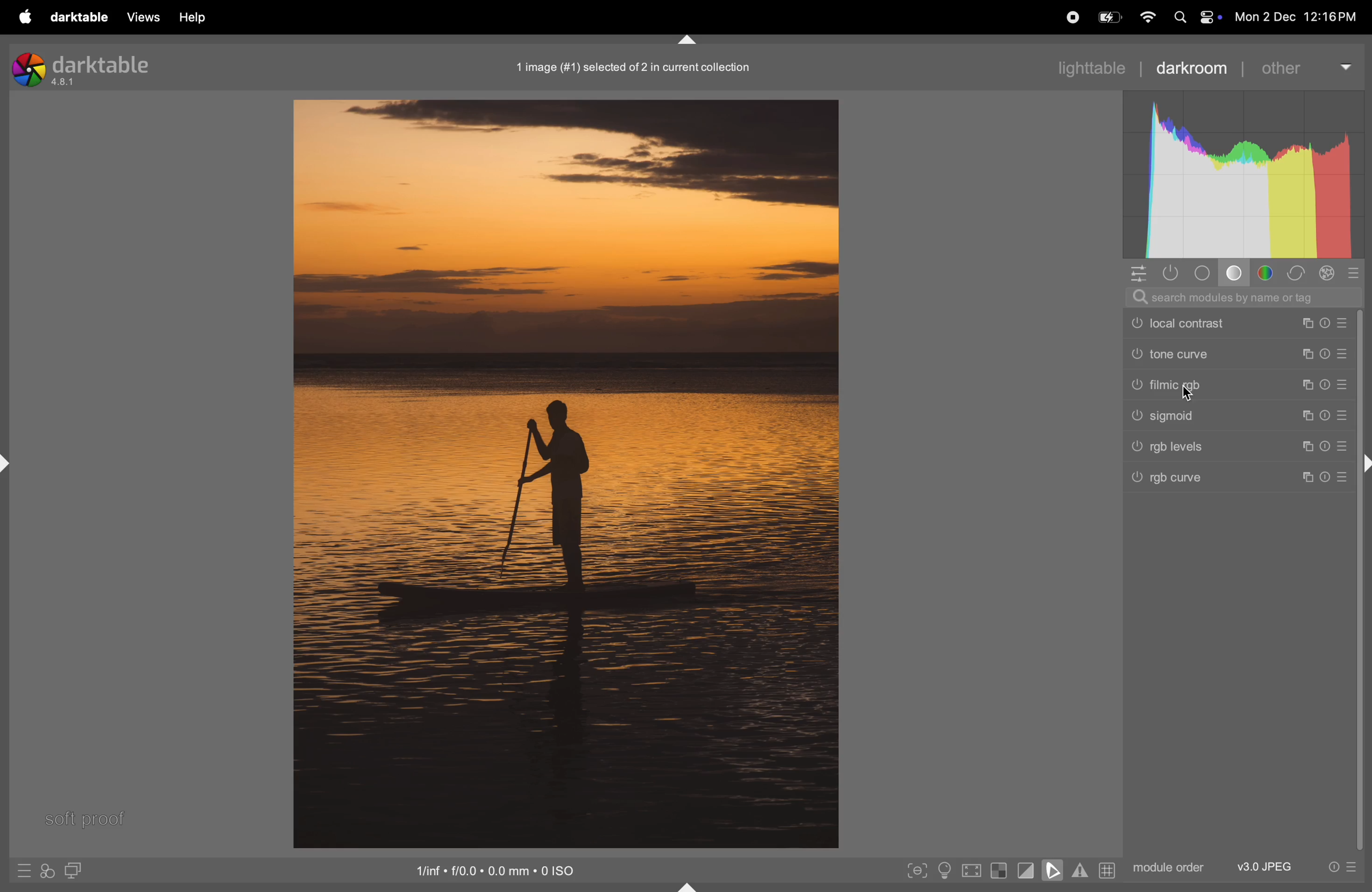 Image resolution: width=1372 pixels, height=892 pixels. Describe the element at coordinates (46, 871) in the screenshot. I see `quick acess to apply your styles` at that location.